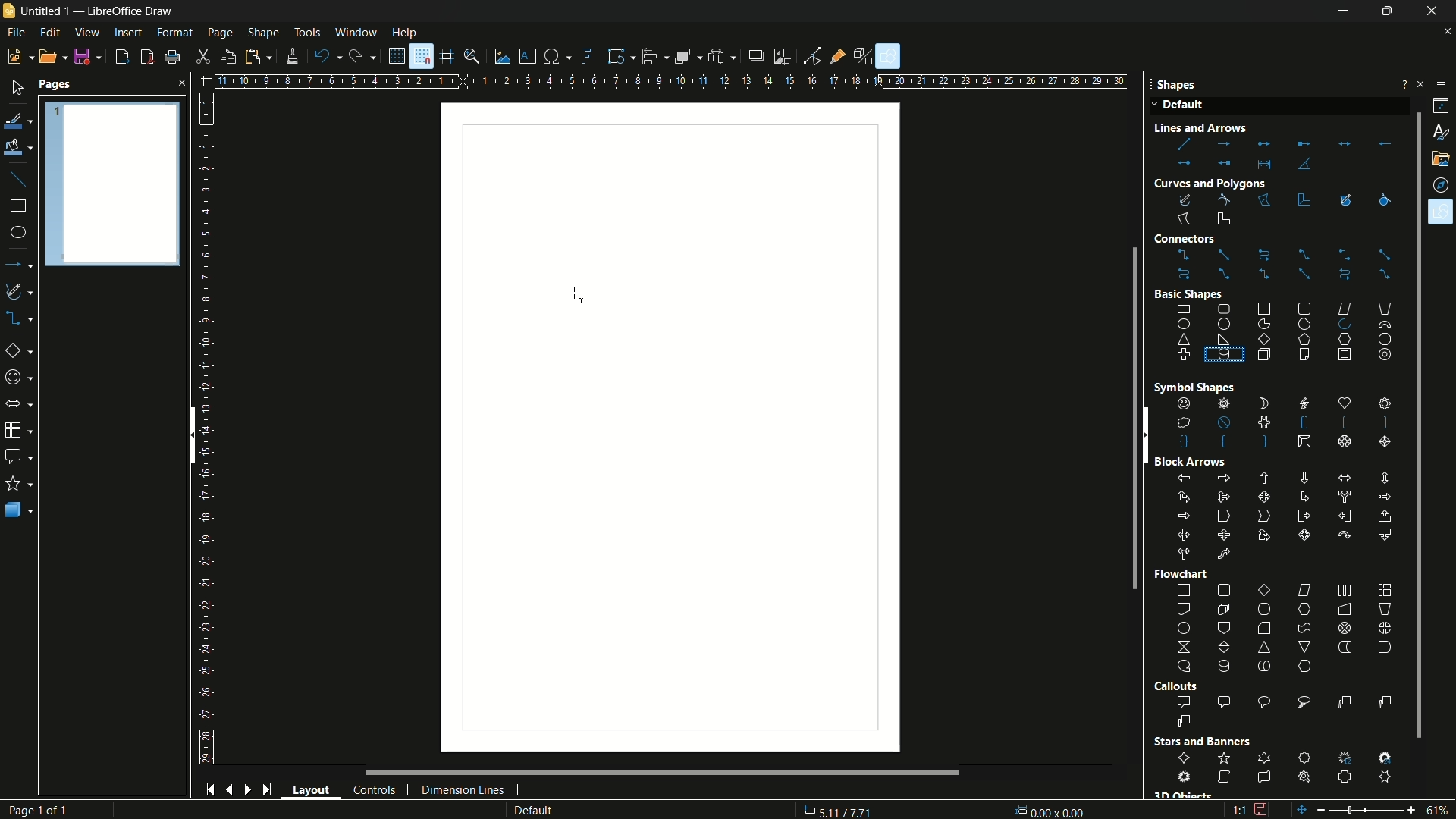 Image resolution: width=1456 pixels, height=819 pixels. What do you see at coordinates (1344, 12) in the screenshot?
I see `minimize` at bounding box center [1344, 12].